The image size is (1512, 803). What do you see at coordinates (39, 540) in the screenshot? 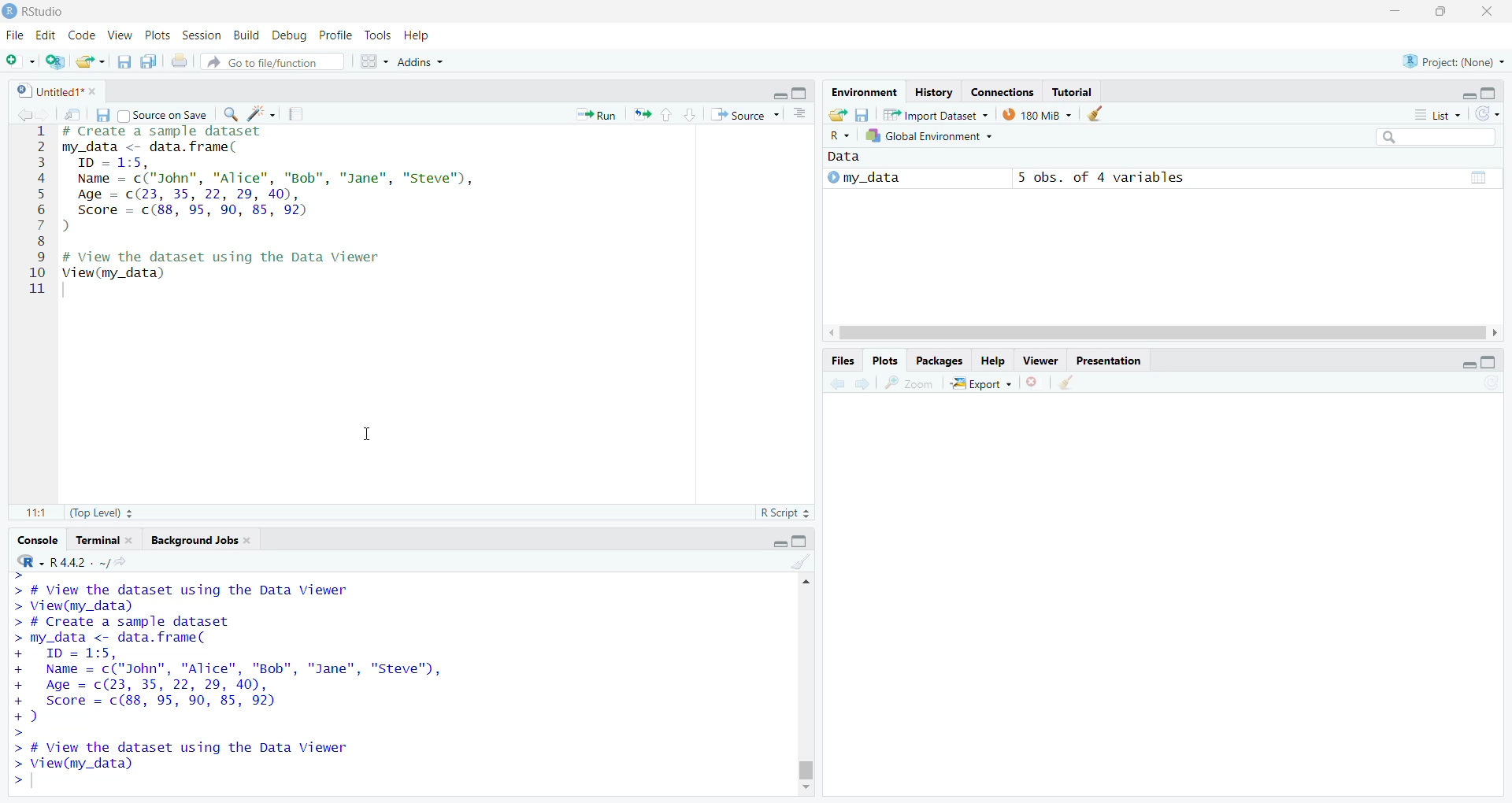
I see `Console` at bounding box center [39, 540].